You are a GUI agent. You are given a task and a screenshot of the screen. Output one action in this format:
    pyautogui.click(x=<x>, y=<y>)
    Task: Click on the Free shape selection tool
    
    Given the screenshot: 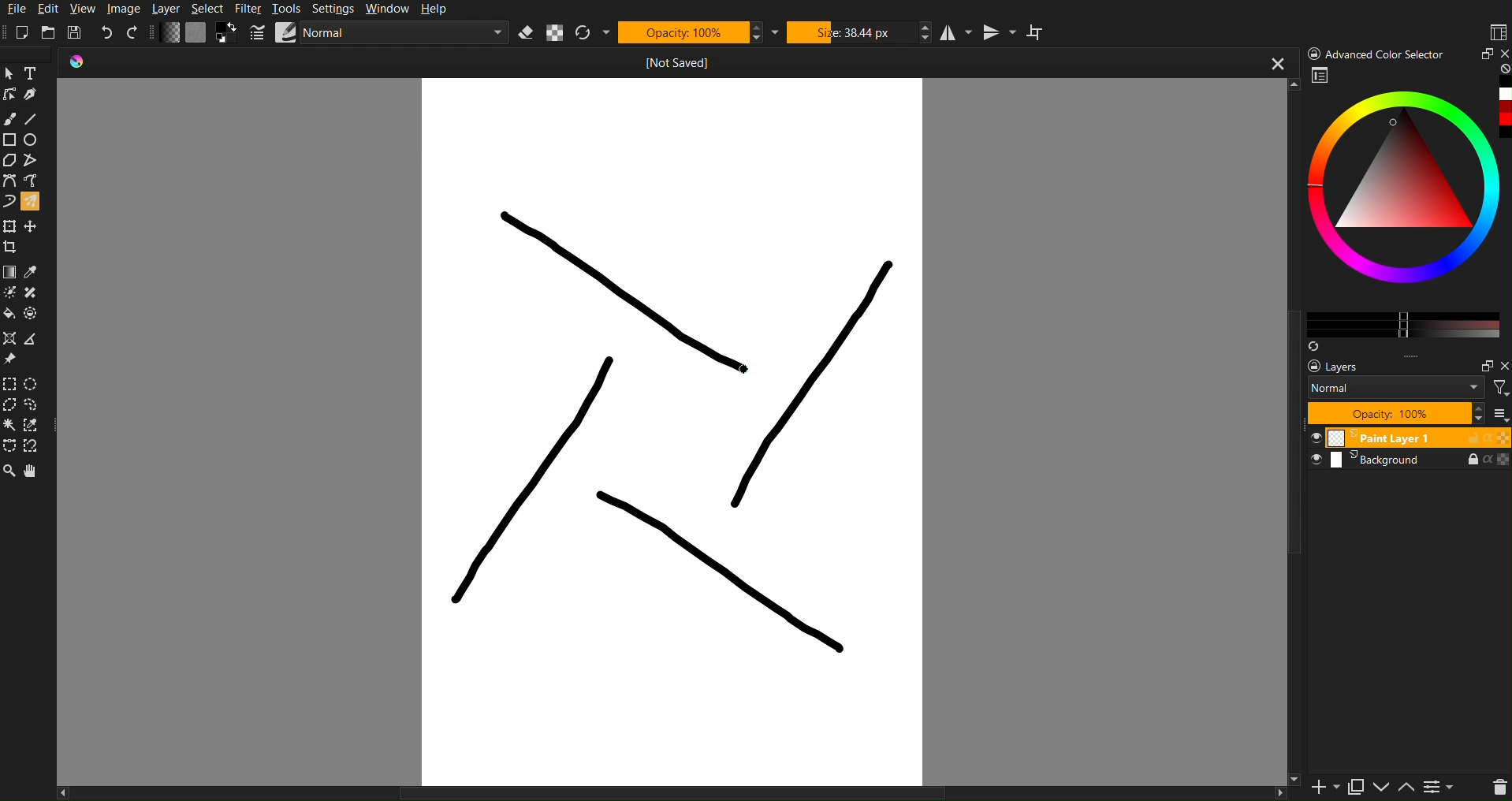 What is the action you would take?
    pyautogui.click(x=37, y=404)
    